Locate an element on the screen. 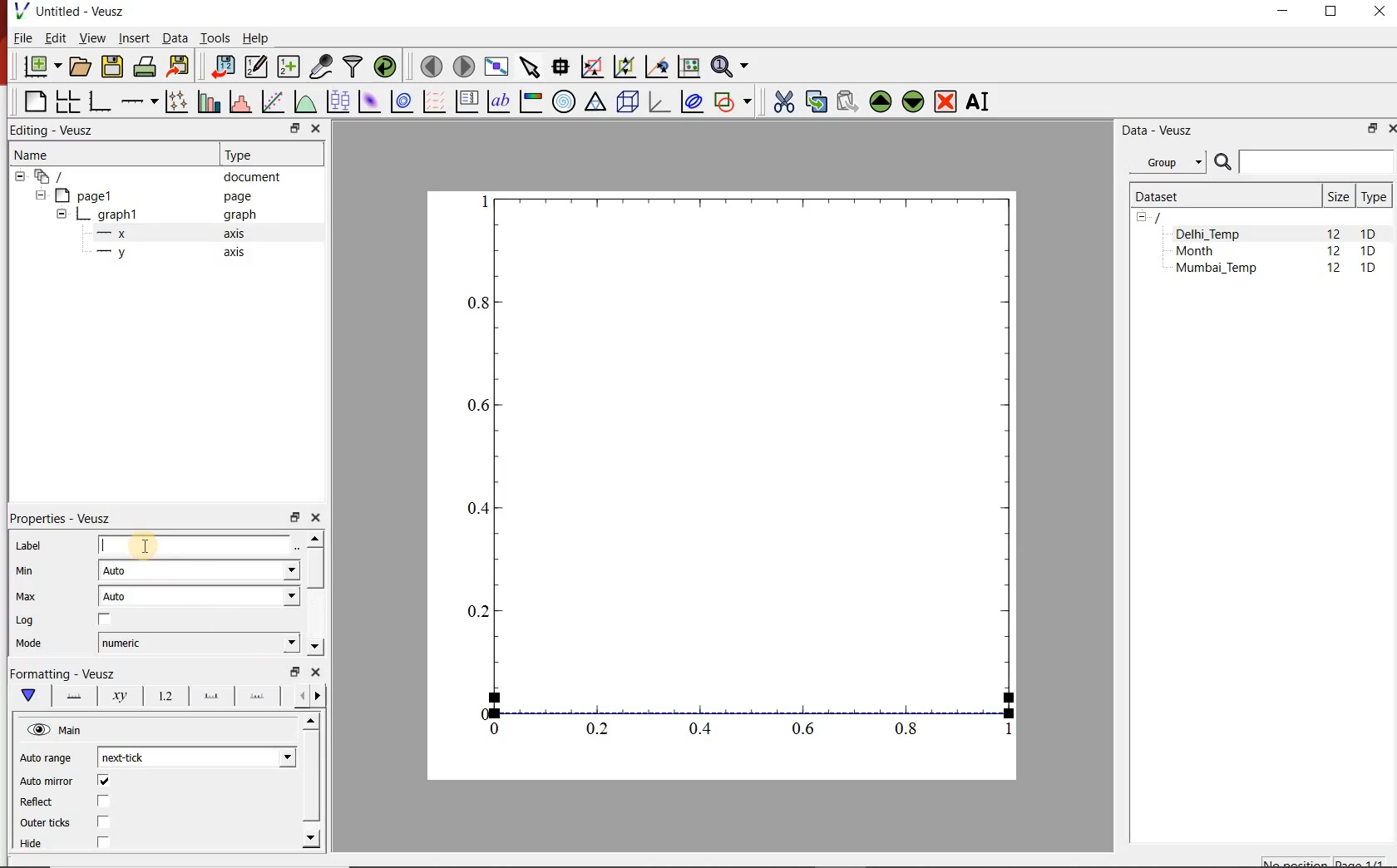  move to the next page is located at coordinates (464, 67).